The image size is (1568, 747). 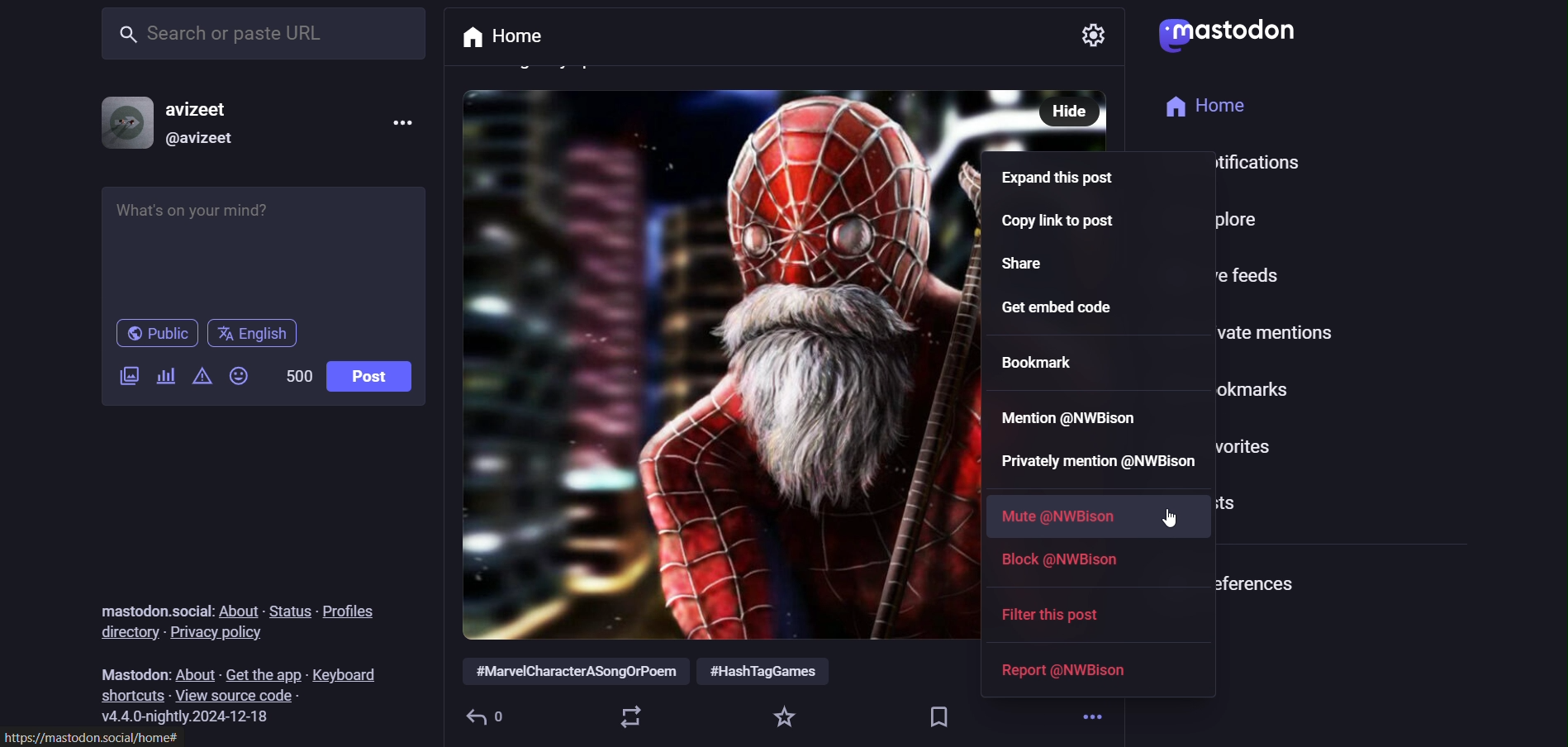 What do you see at coordinates (235, 610) in the screenshot?
I see `about` at bounding box center [235, 610].